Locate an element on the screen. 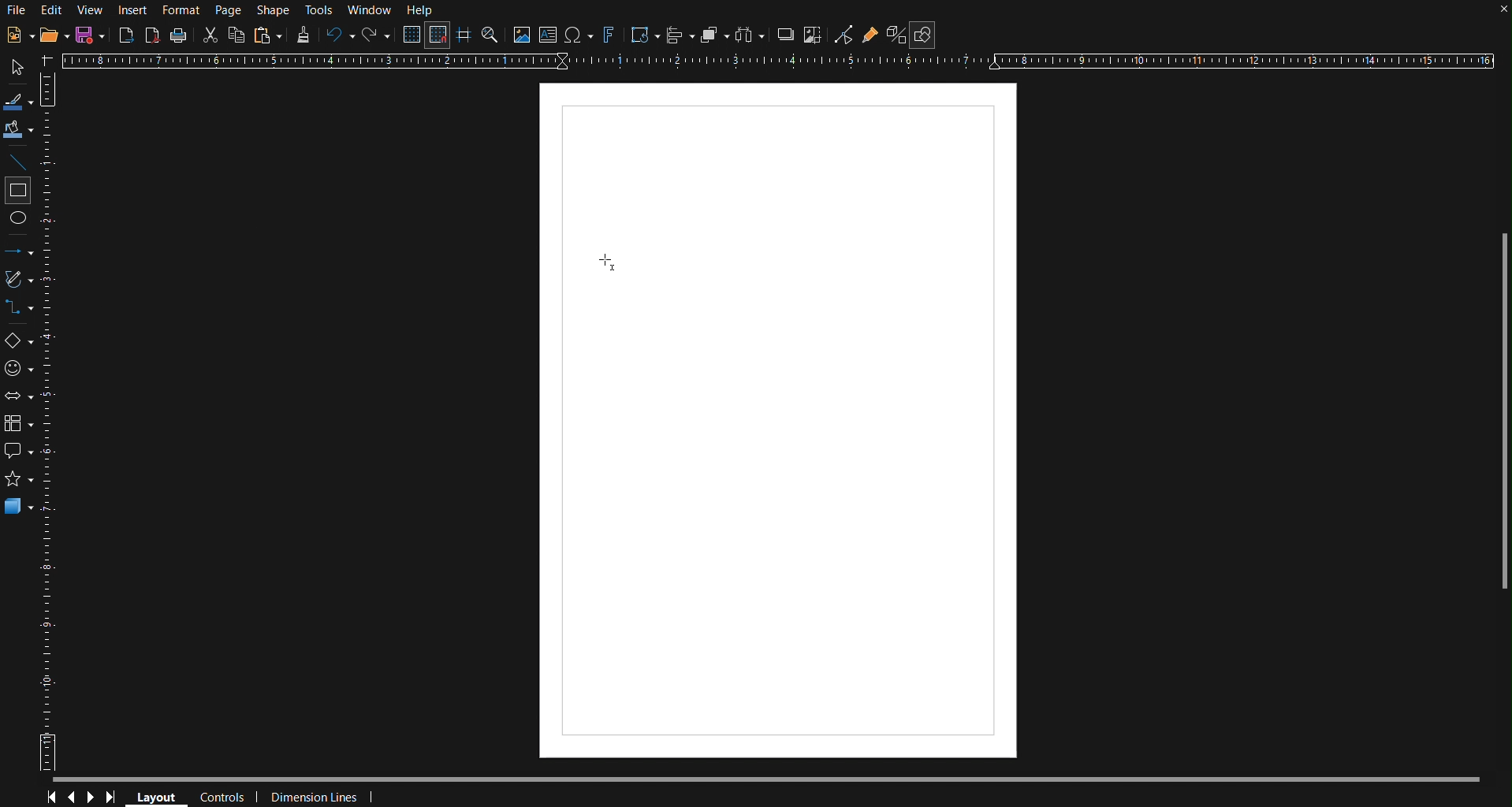 Image resolution: width=1512 pixels, height=807 pixels. Select is located at coordinates (18, 68).